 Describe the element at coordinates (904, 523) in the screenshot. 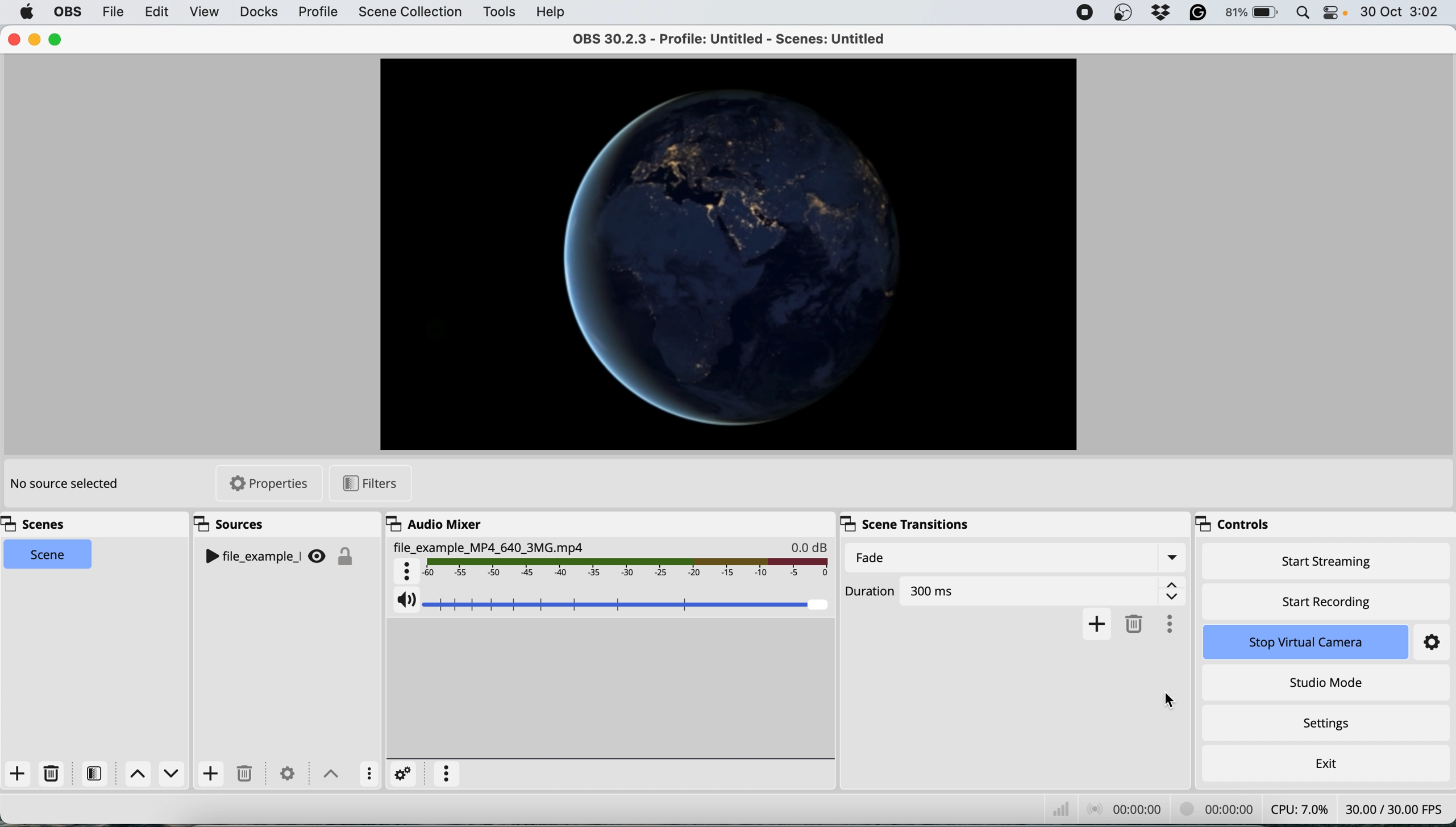

I see `scene transitions` at that location.